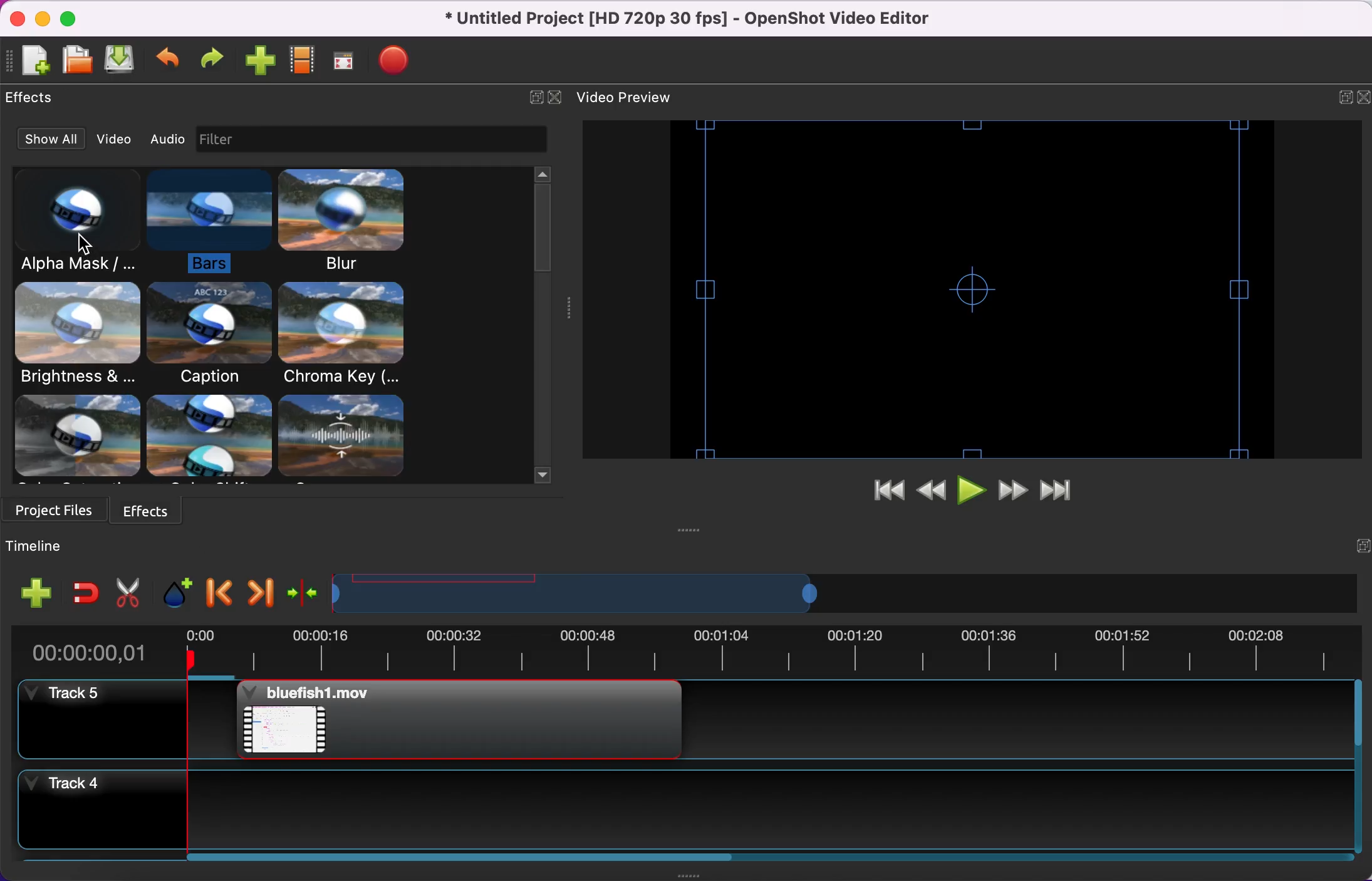 The height and width of the screenshot is (881, 1372). I want to click on show all , so click(51, 137).